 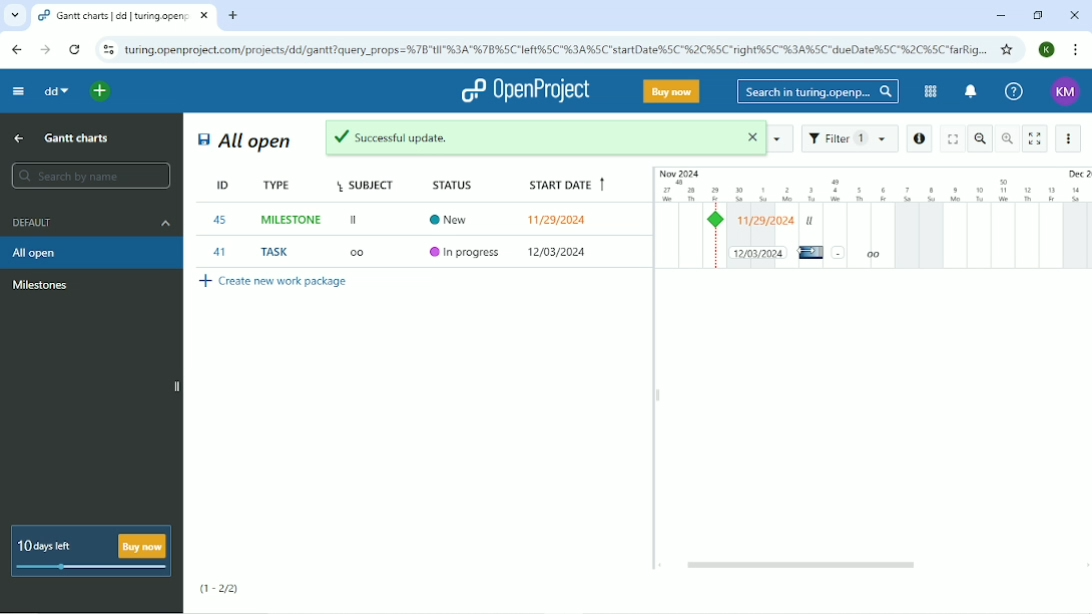 I want to click on Fullscreen, so click(x=951, y=138).